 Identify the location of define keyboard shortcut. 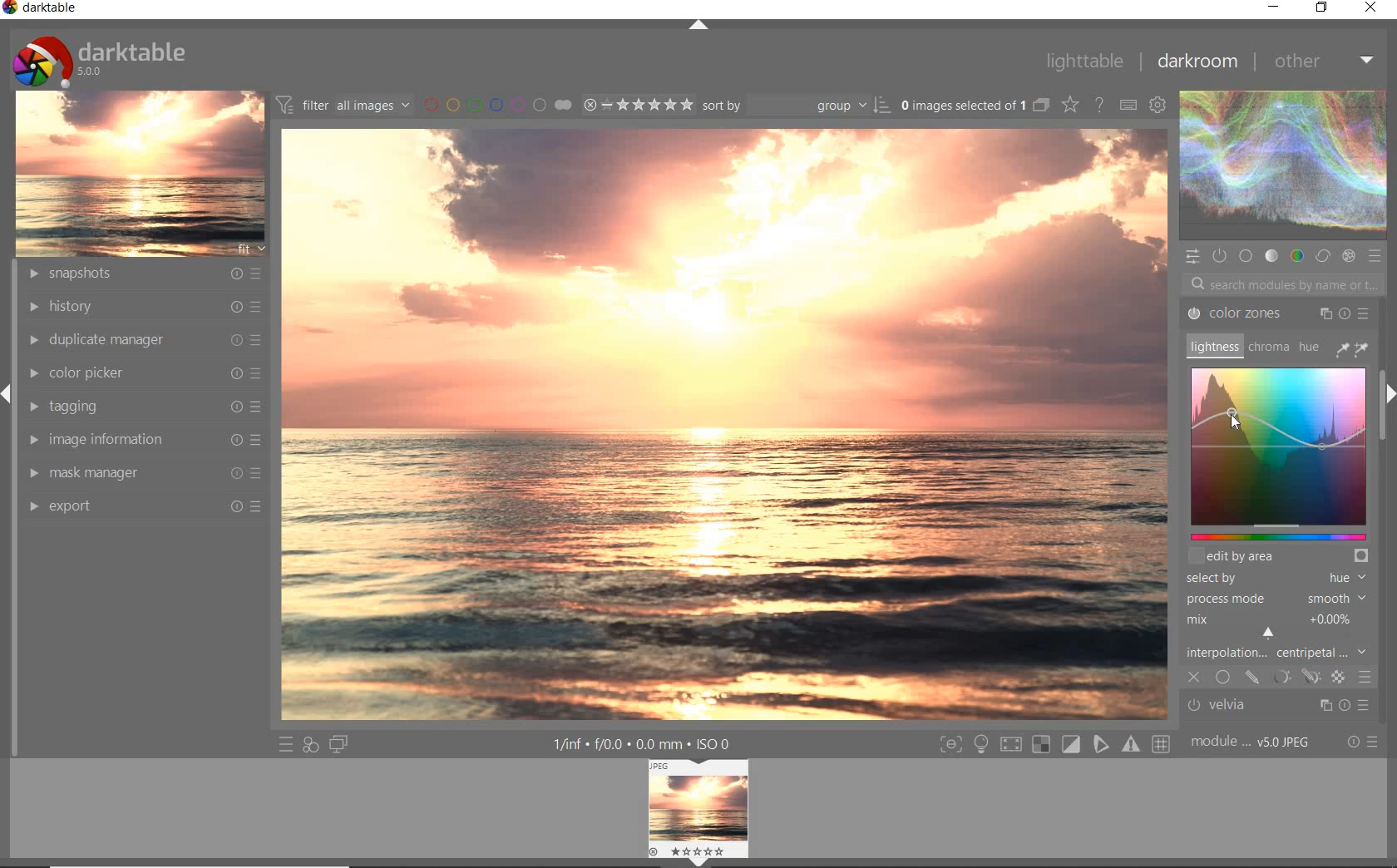
(1127, 104).